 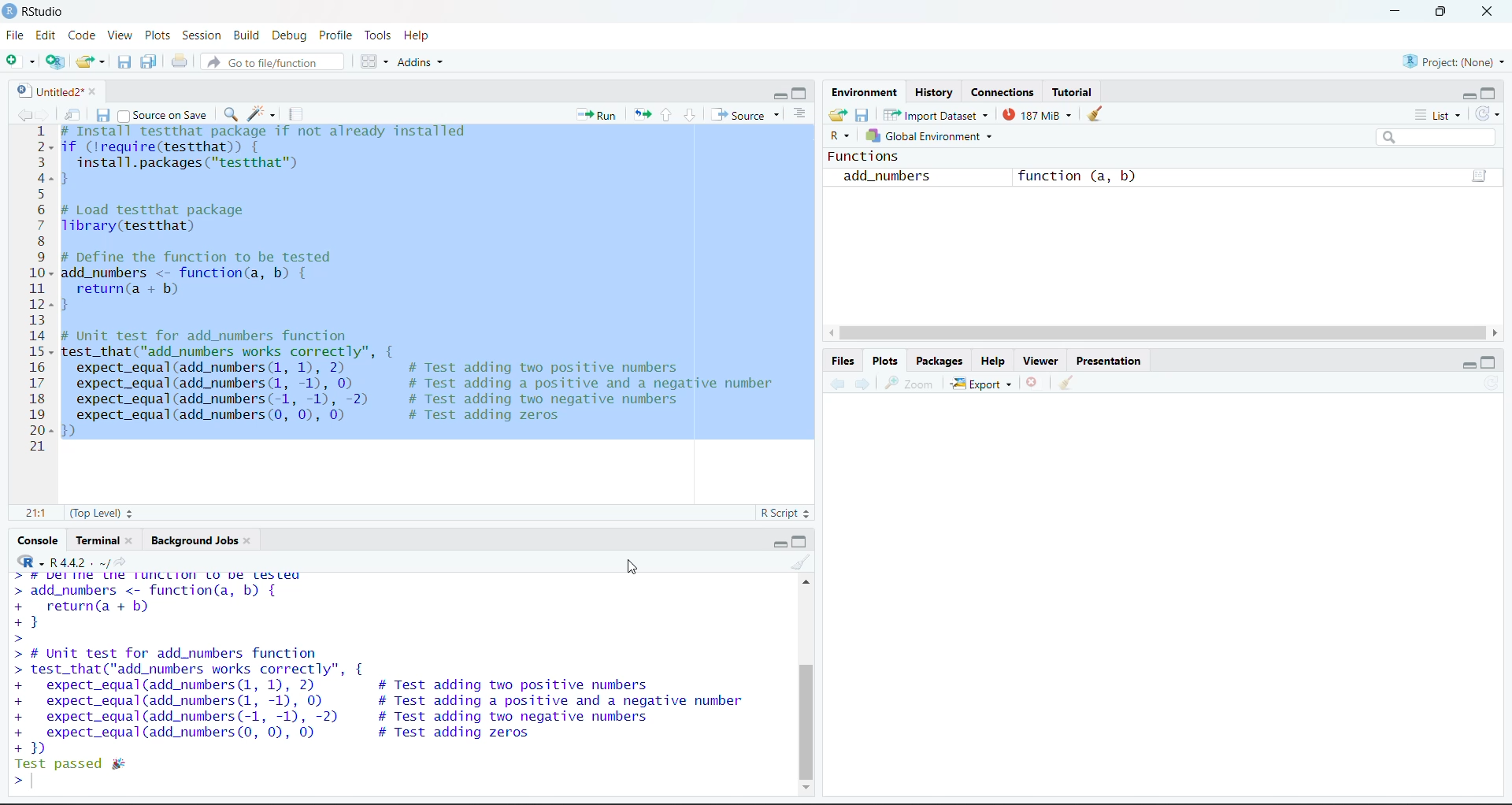 I want to click on print the current file, so click(x=179, y=62).